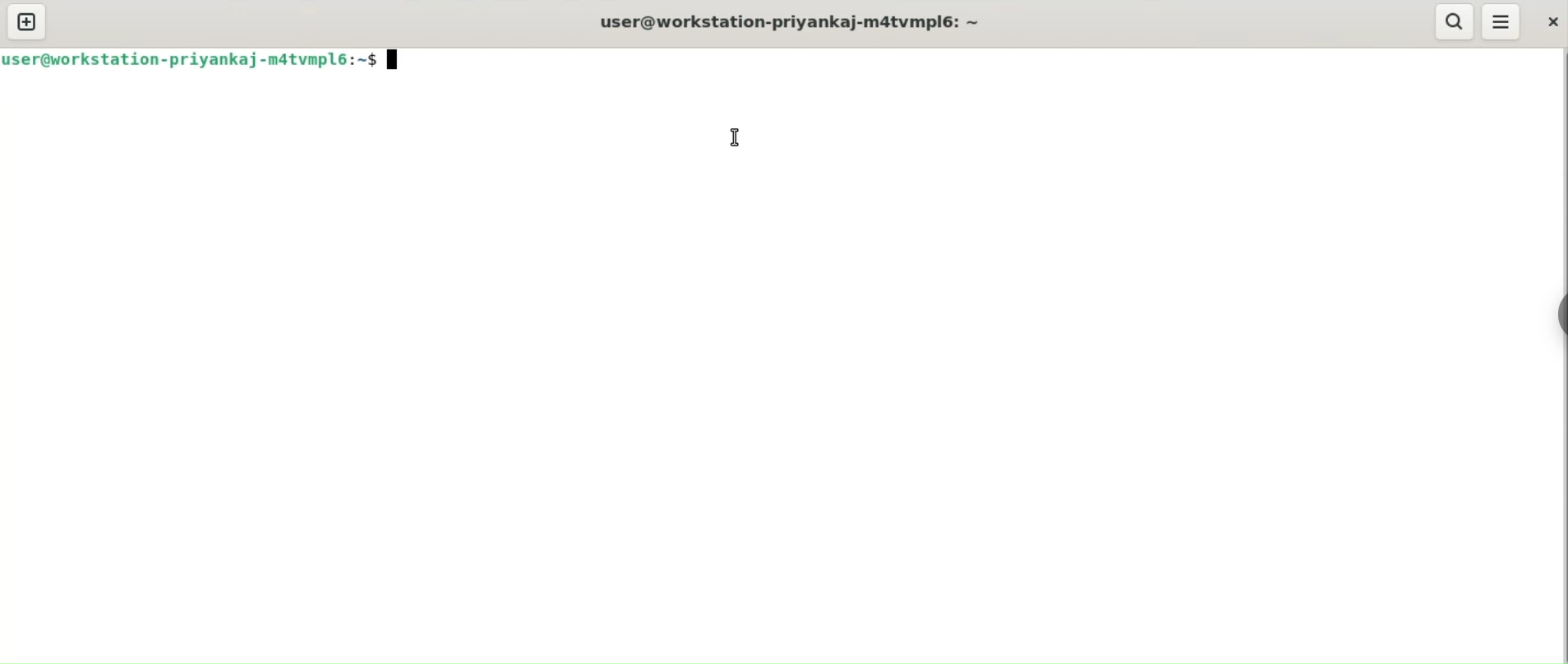 This screenshot has height=664, width=1568. Describe the element at coordinates (1501, 21) in the screenshot. I see `menu` at that location.